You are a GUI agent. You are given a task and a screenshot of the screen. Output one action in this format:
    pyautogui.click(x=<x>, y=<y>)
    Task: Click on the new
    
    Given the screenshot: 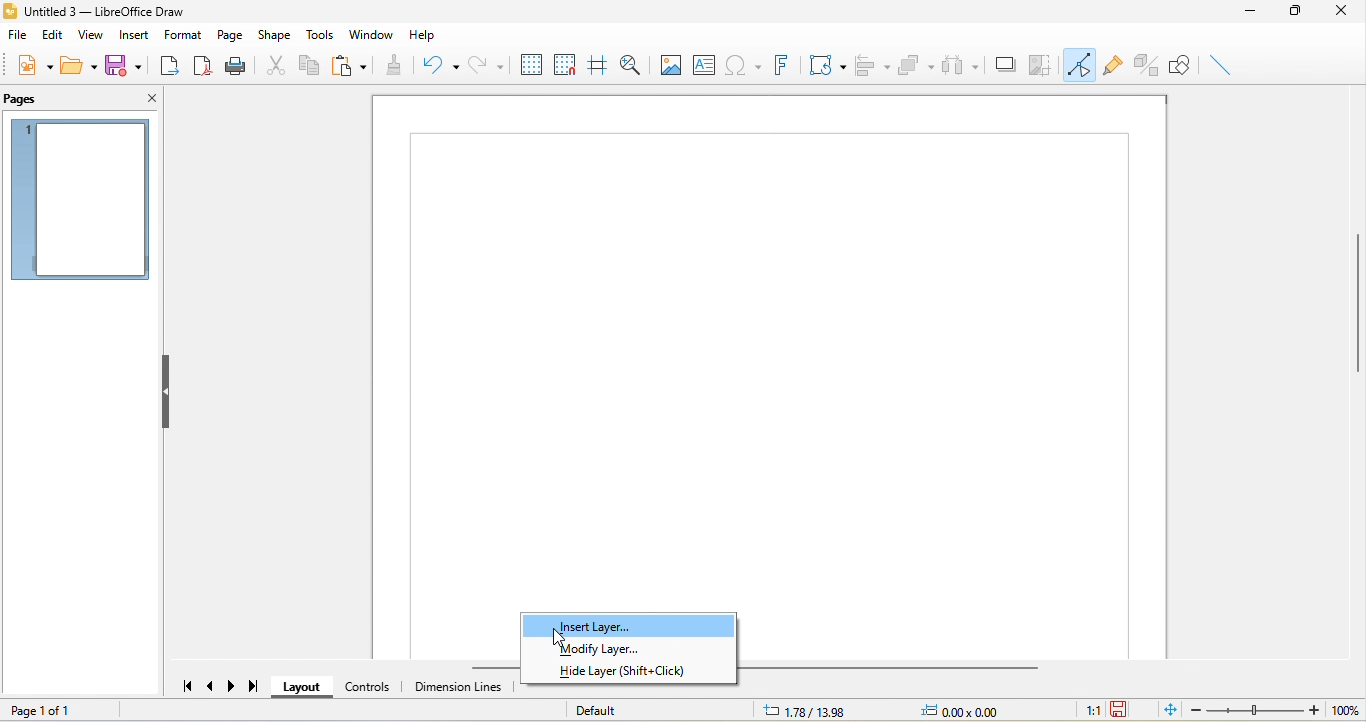 What is the action you would take?
    pyautogui.click(x=33, y=69)
    